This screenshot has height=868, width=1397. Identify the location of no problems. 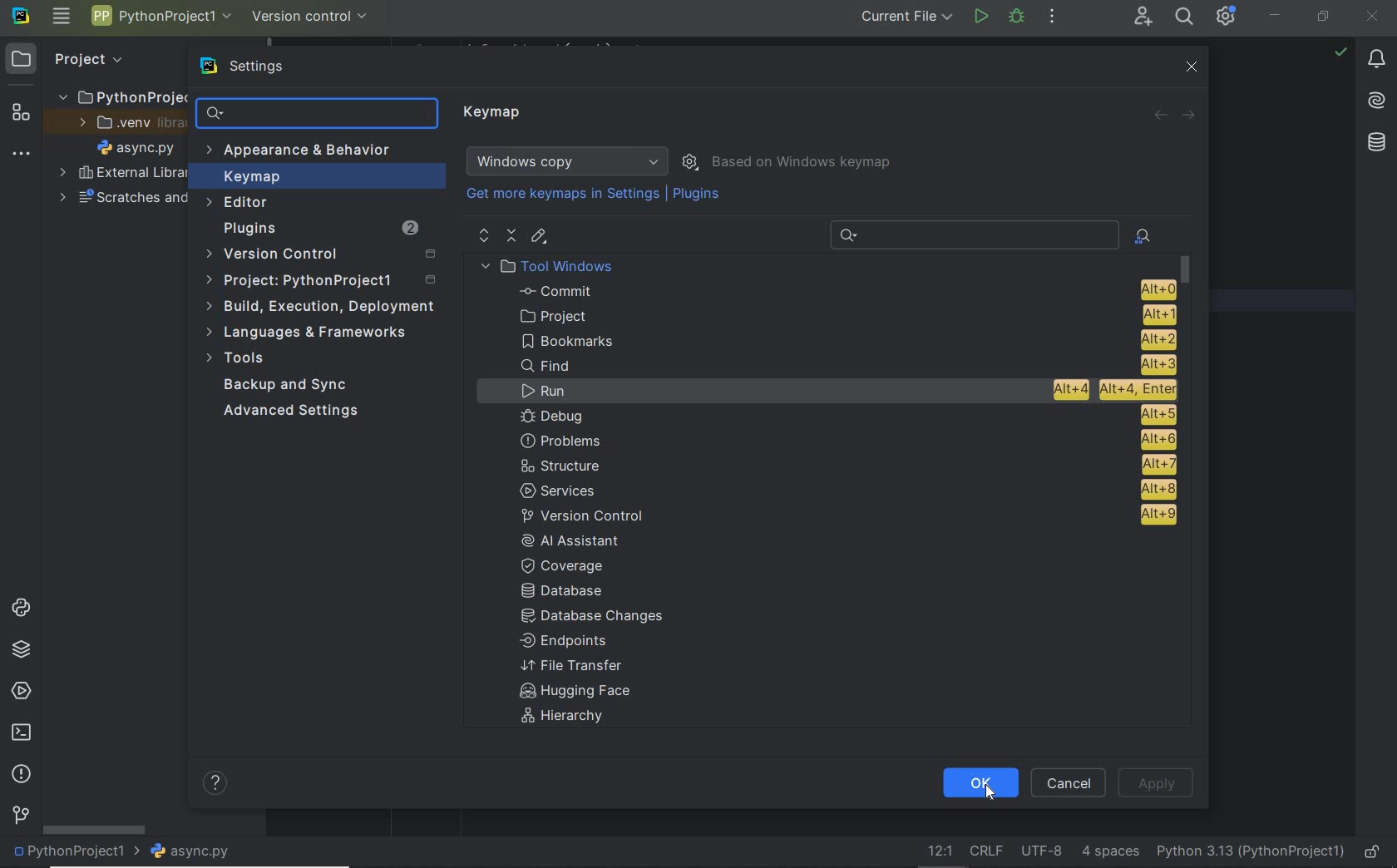
(1340, 52).